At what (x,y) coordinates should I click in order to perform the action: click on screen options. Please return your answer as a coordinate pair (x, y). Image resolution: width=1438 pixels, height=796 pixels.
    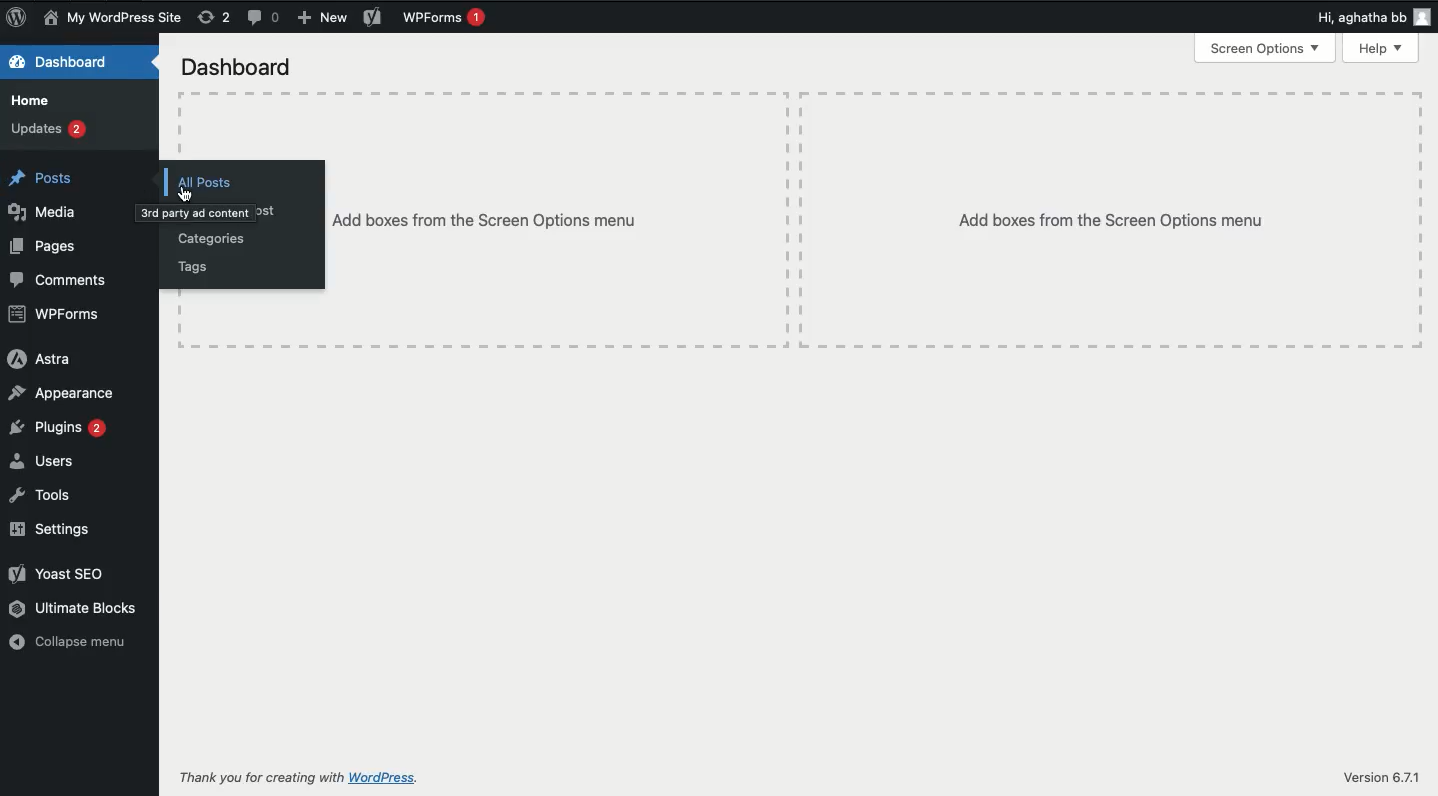
    Looking at the image, I should click on (241, 70).